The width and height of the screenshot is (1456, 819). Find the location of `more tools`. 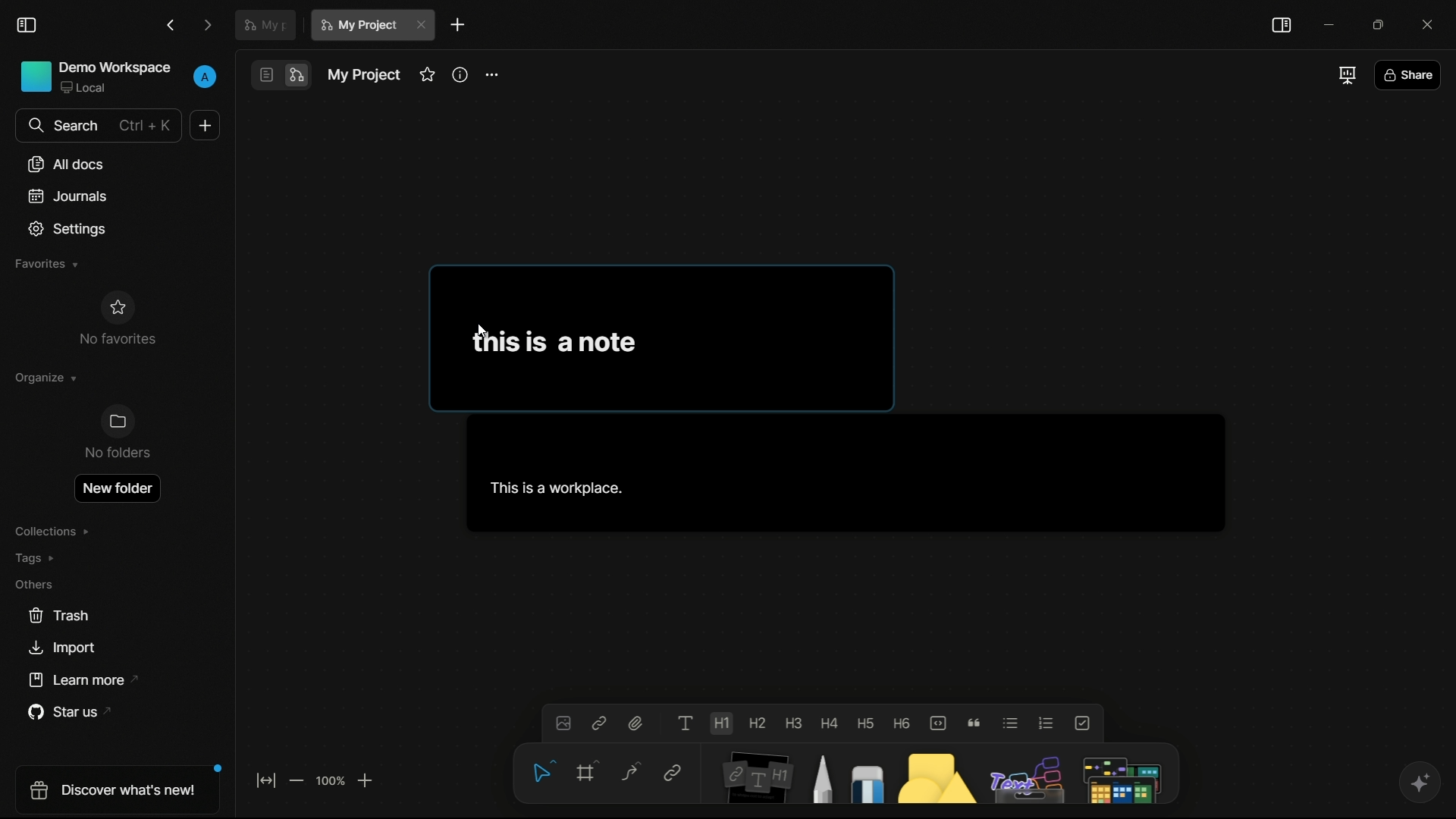

more tools is located at coordinates (1122, 774).